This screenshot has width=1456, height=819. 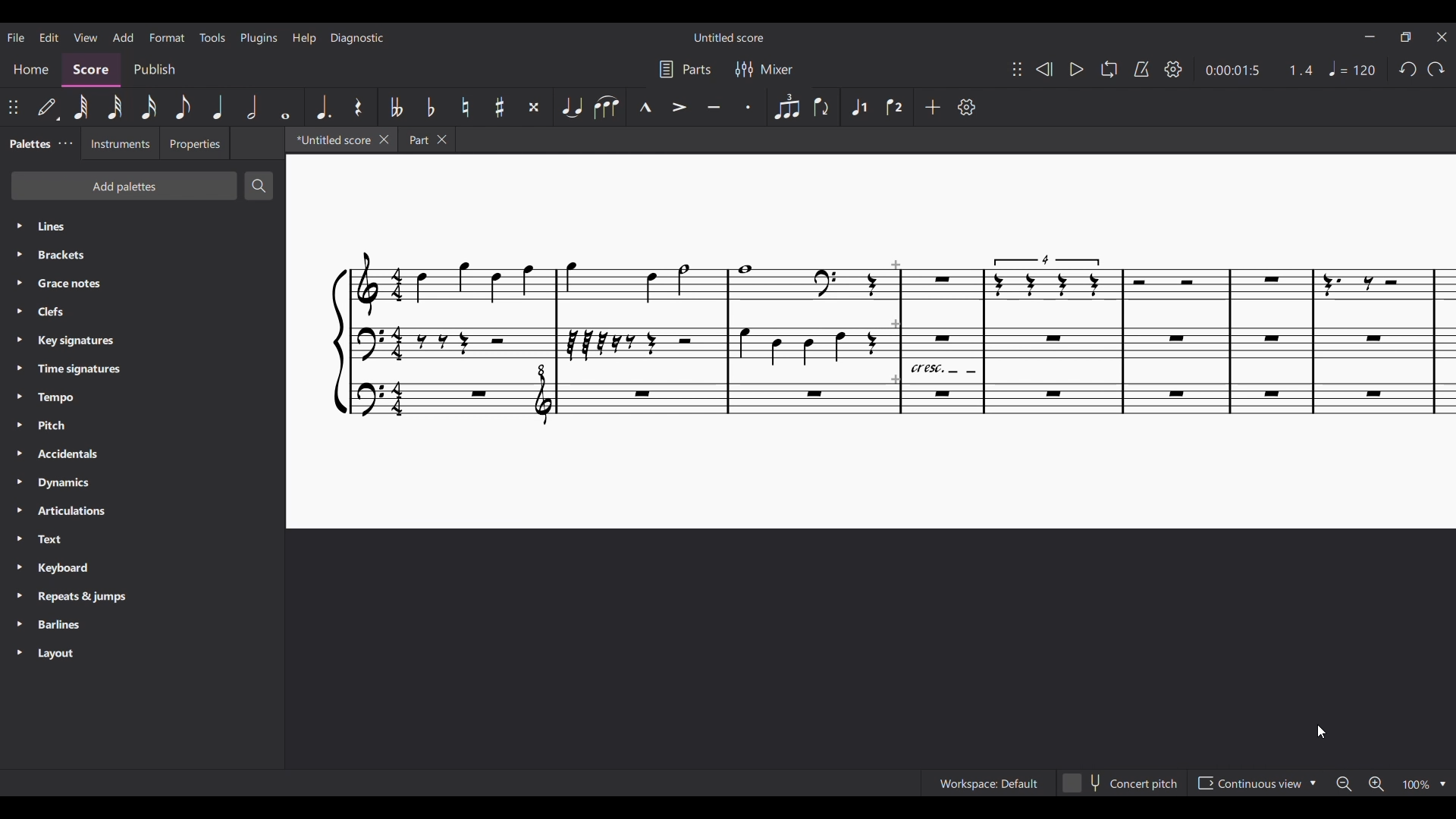 What do you see at coordinates (13, 107) in the screenshot?
I see `Change position of toolbar attached` at bounding box center [13, 107].